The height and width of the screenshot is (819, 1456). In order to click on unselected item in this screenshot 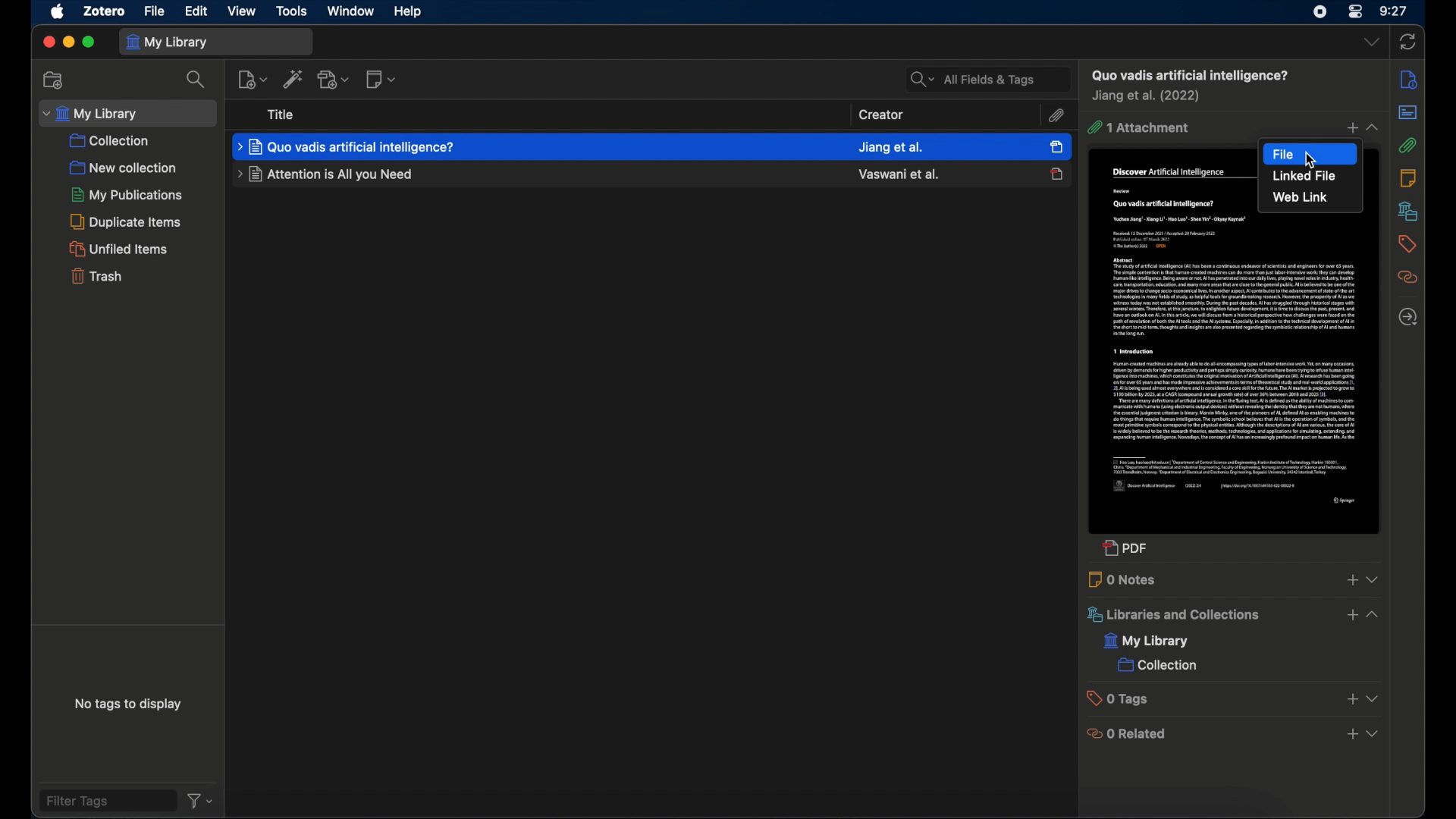, I will do `click(1057, 174)`.